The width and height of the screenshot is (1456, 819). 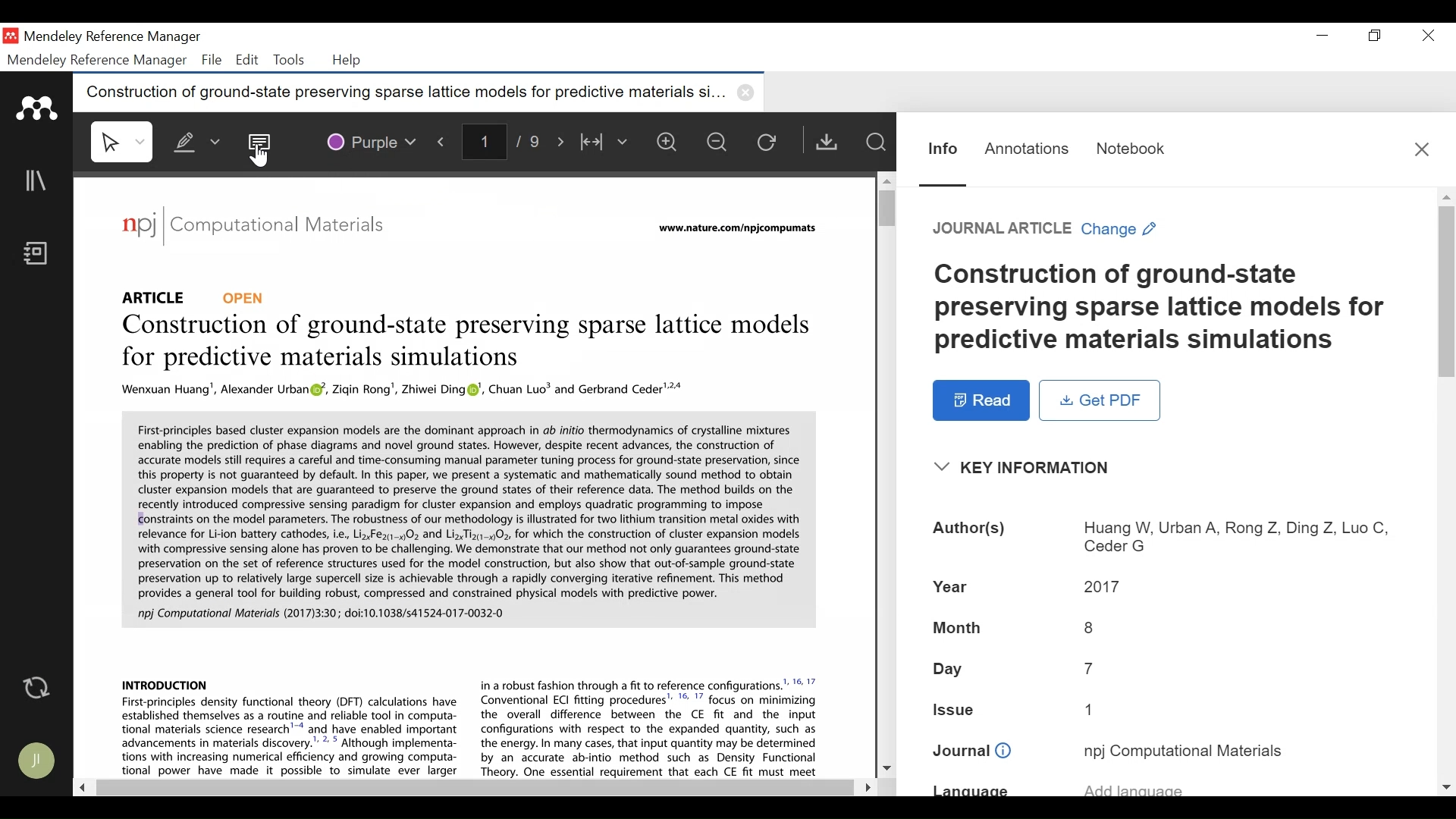 I want to click on Close, so click(x=1429, y=36).